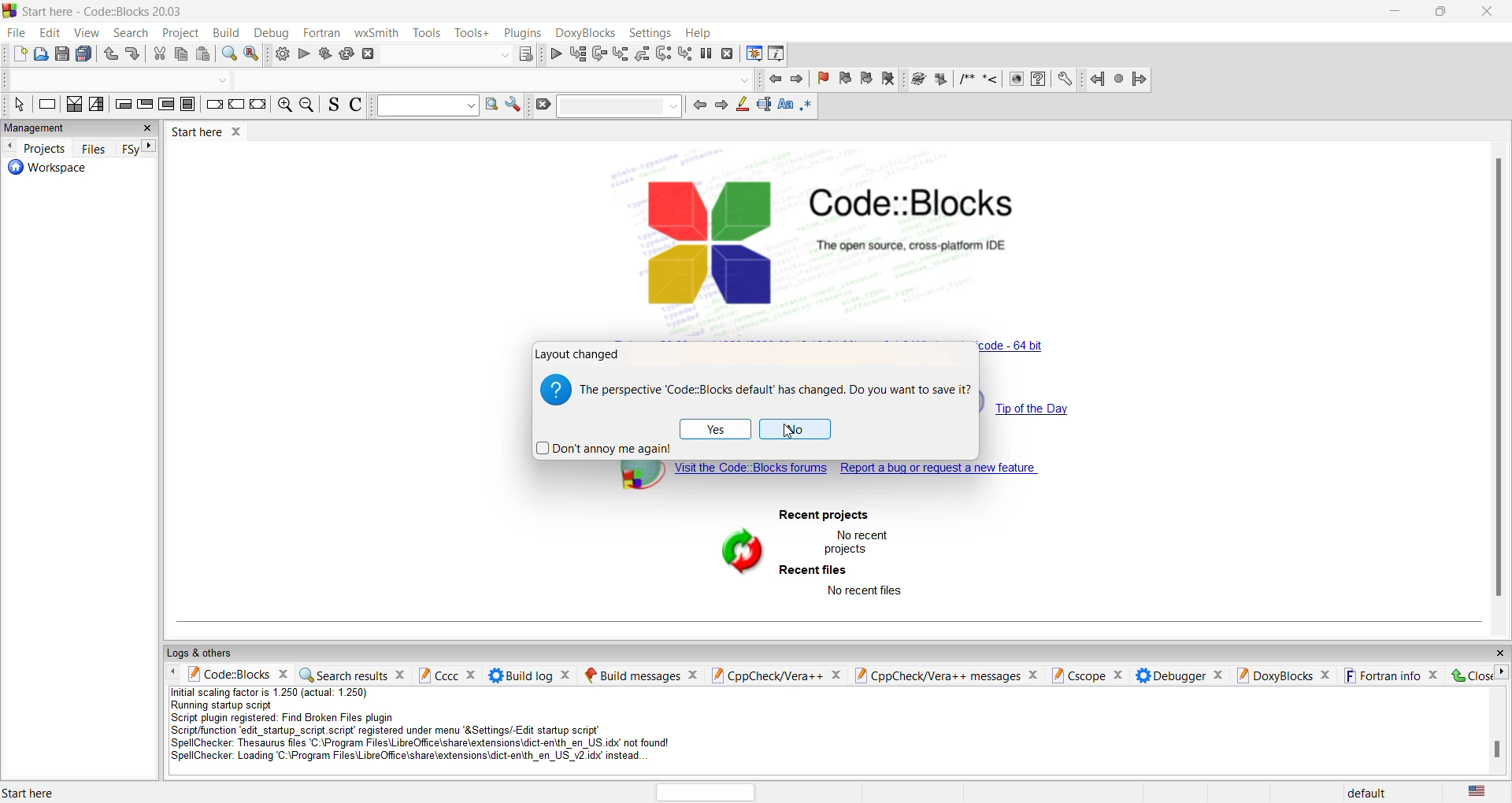 This screenshot has height=803, width=1512. What do you see at coordinates (228, 54) in the screenshot?
I see `find` at bounding box center [228, 54].